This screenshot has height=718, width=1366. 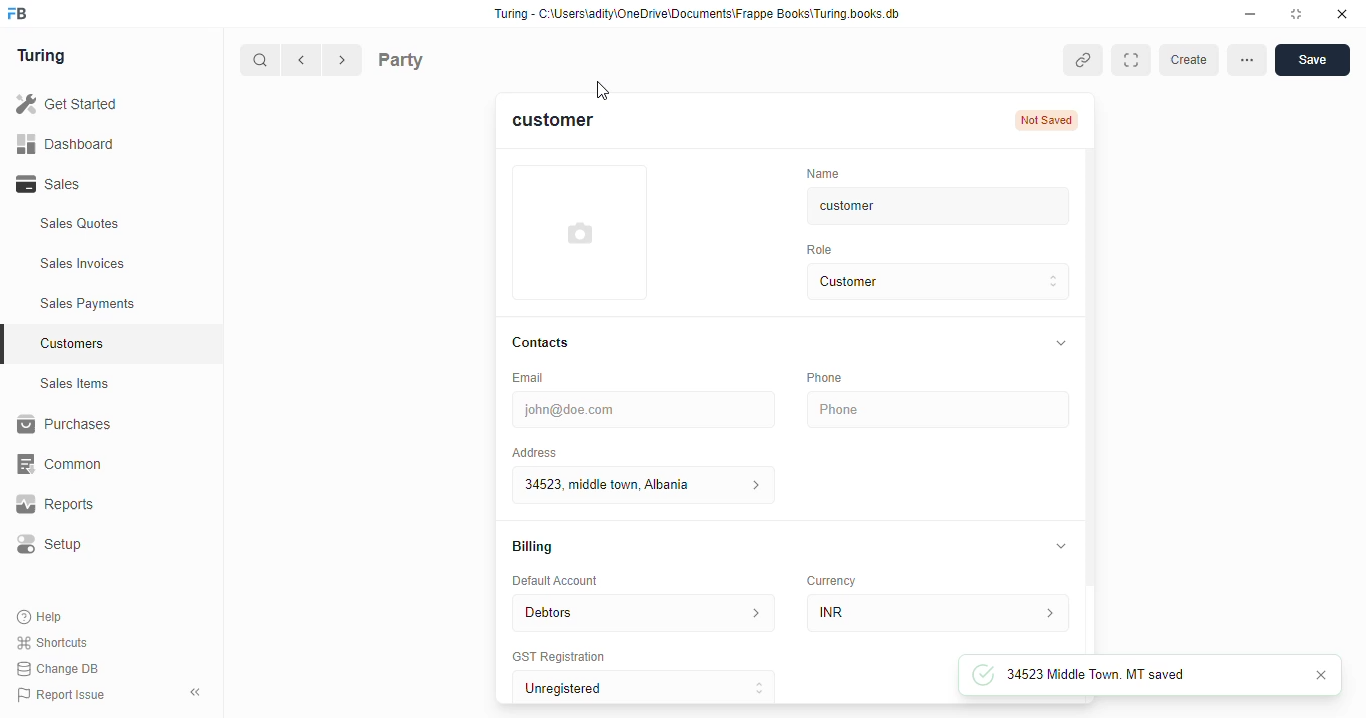 What do you see at coordinates (939, 609) in the screenshot?
I see `INR` at bounding box center [939, 609].